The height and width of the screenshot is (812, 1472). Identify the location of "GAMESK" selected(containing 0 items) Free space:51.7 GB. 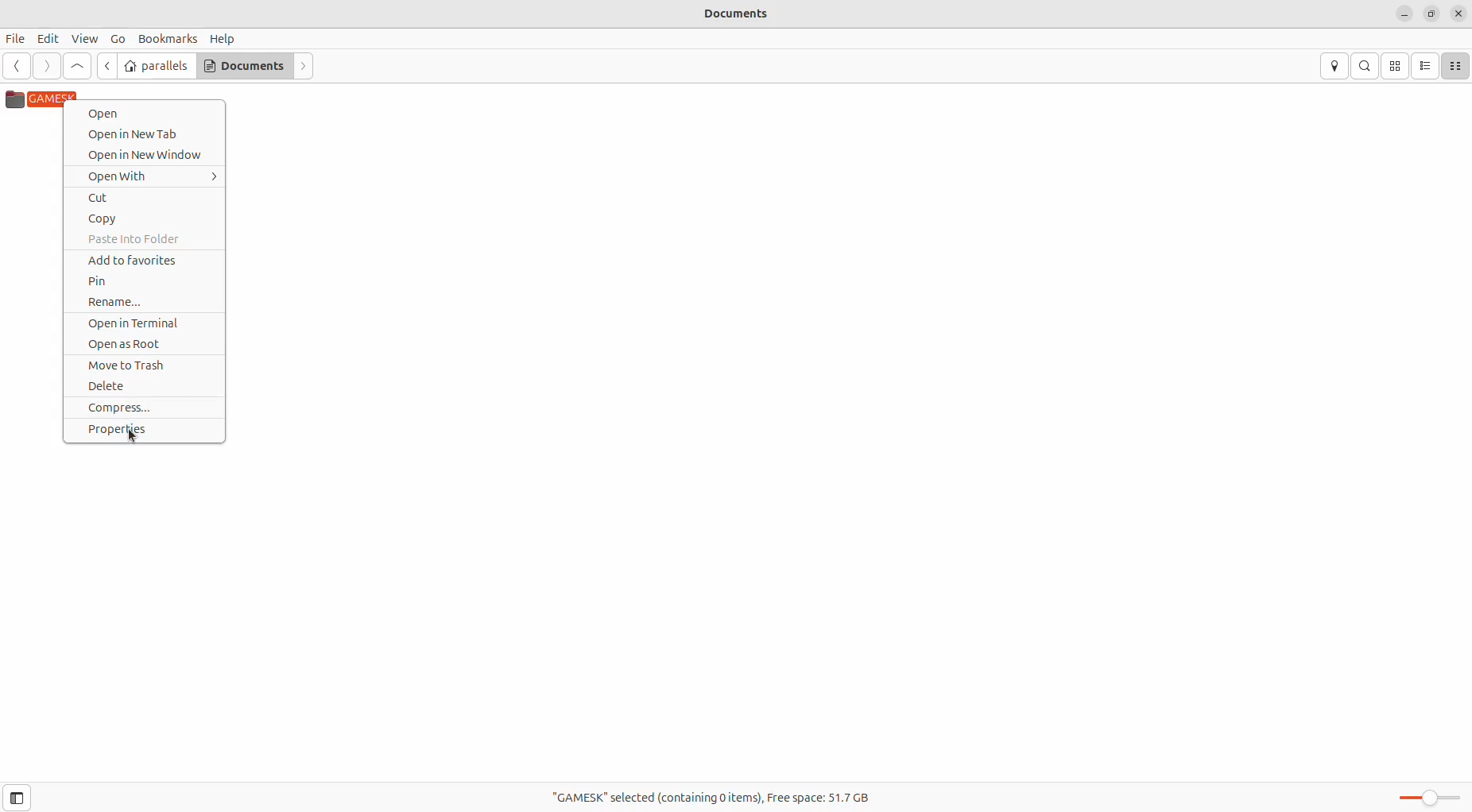
(713, 770).